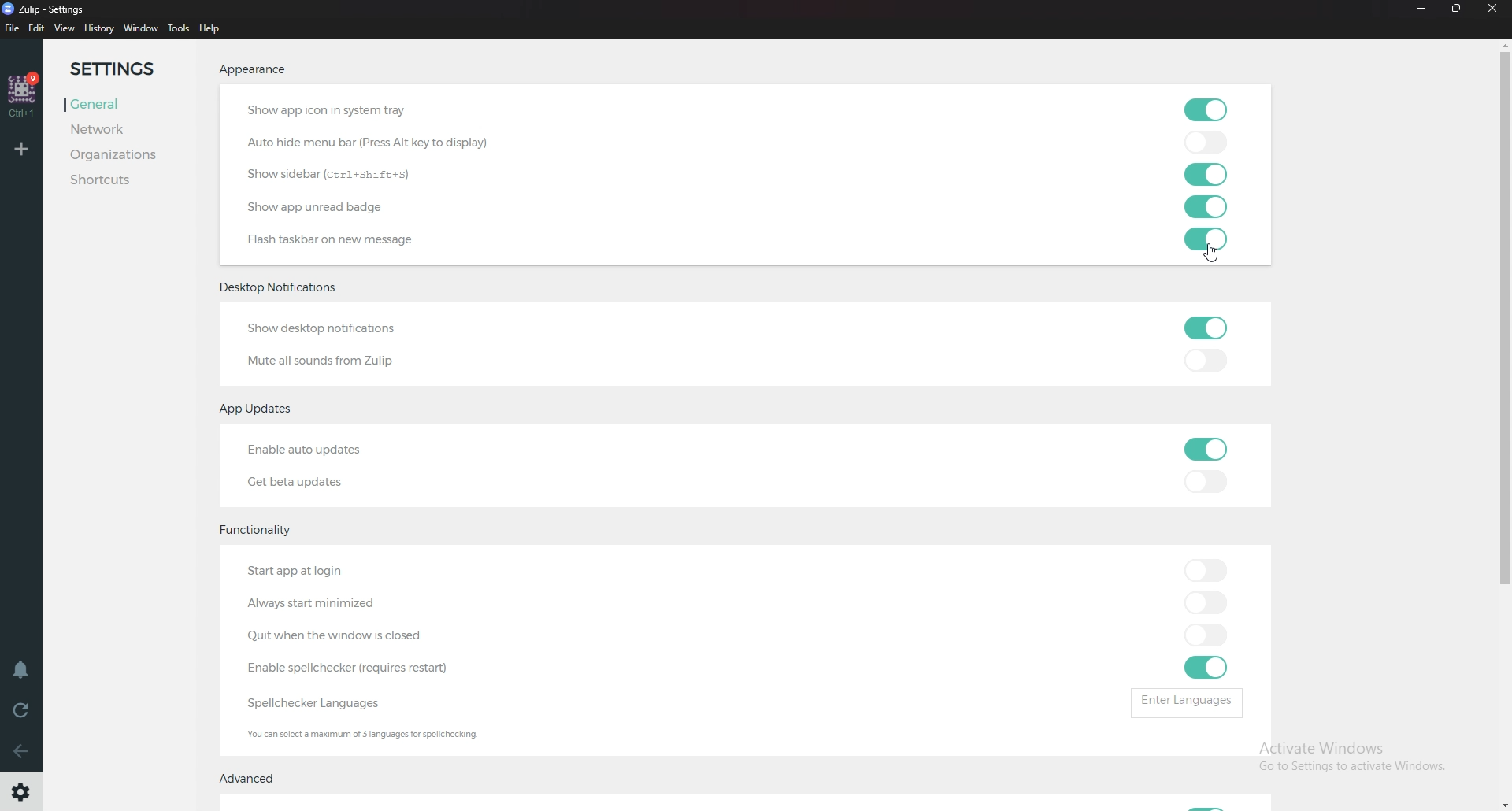 The height and width of the screenshot is (811, 1512). I want to click on Minimize, so click(1418, 9).